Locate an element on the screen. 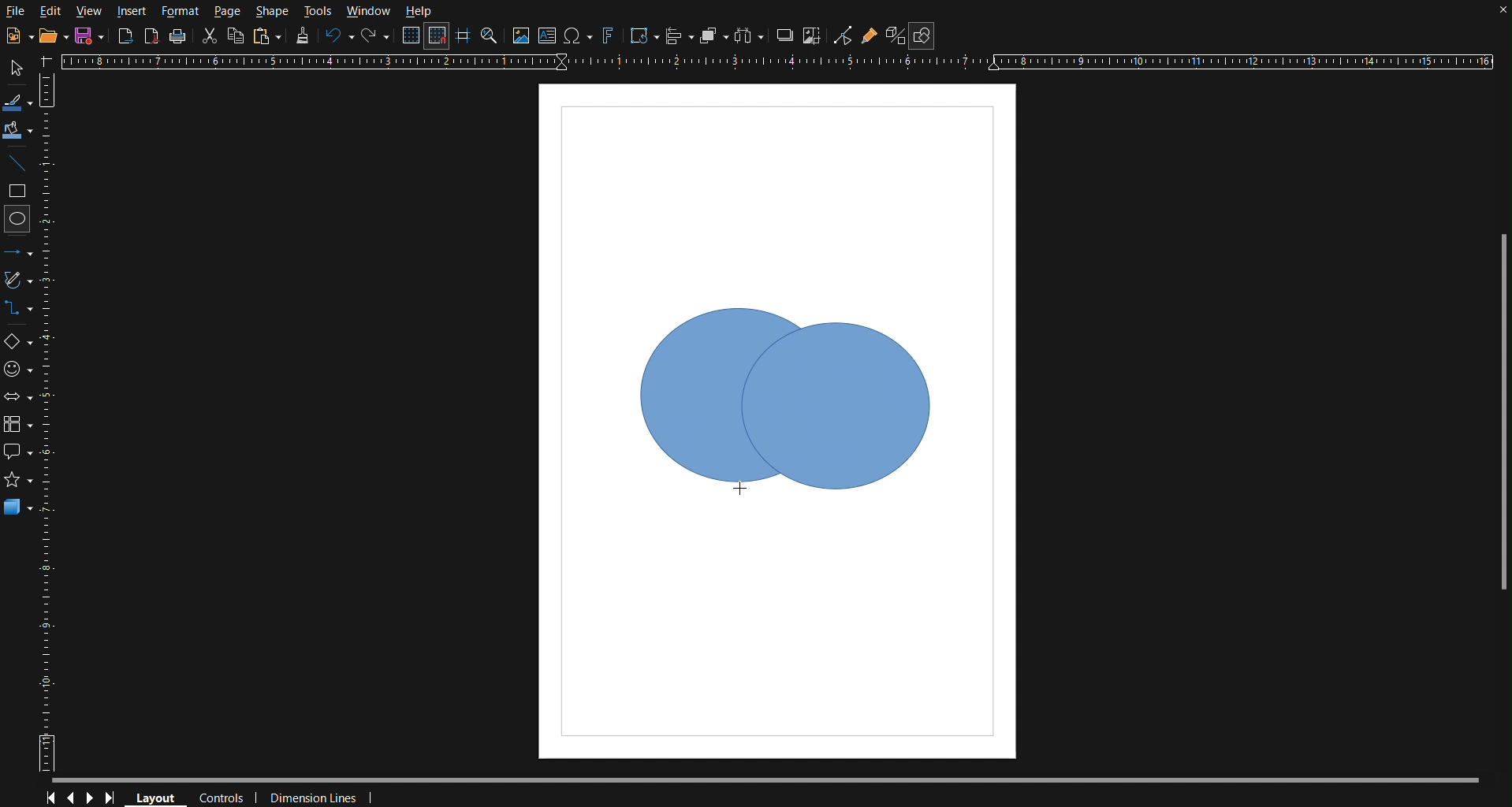  Vectors is located at coordinates (19, 280).